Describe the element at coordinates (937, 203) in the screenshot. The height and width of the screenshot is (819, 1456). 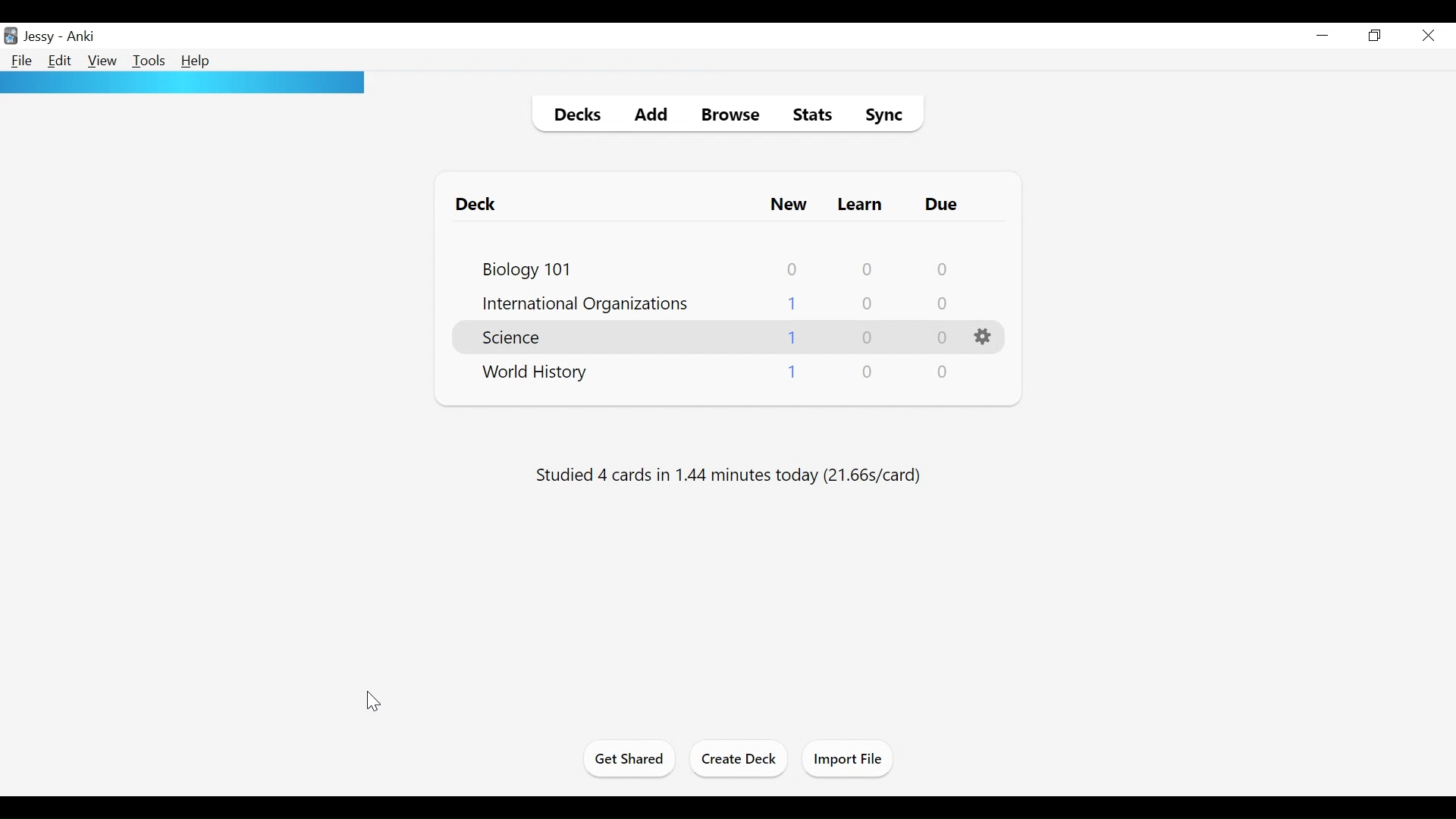
I see `Due Cards` at that location.